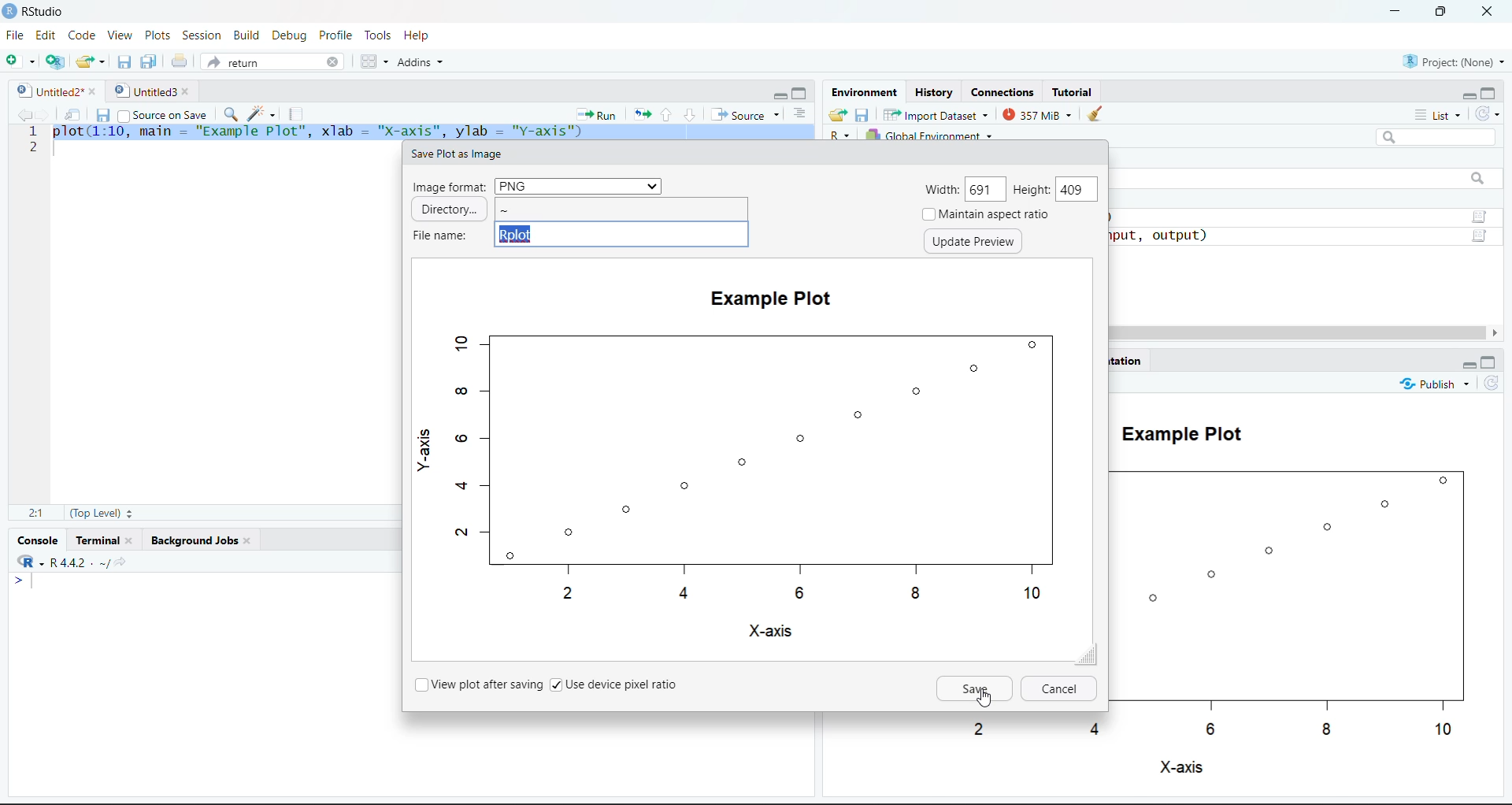  Describe the element at coordinates (621, 209) in the screenshot. I see `~` at that location.